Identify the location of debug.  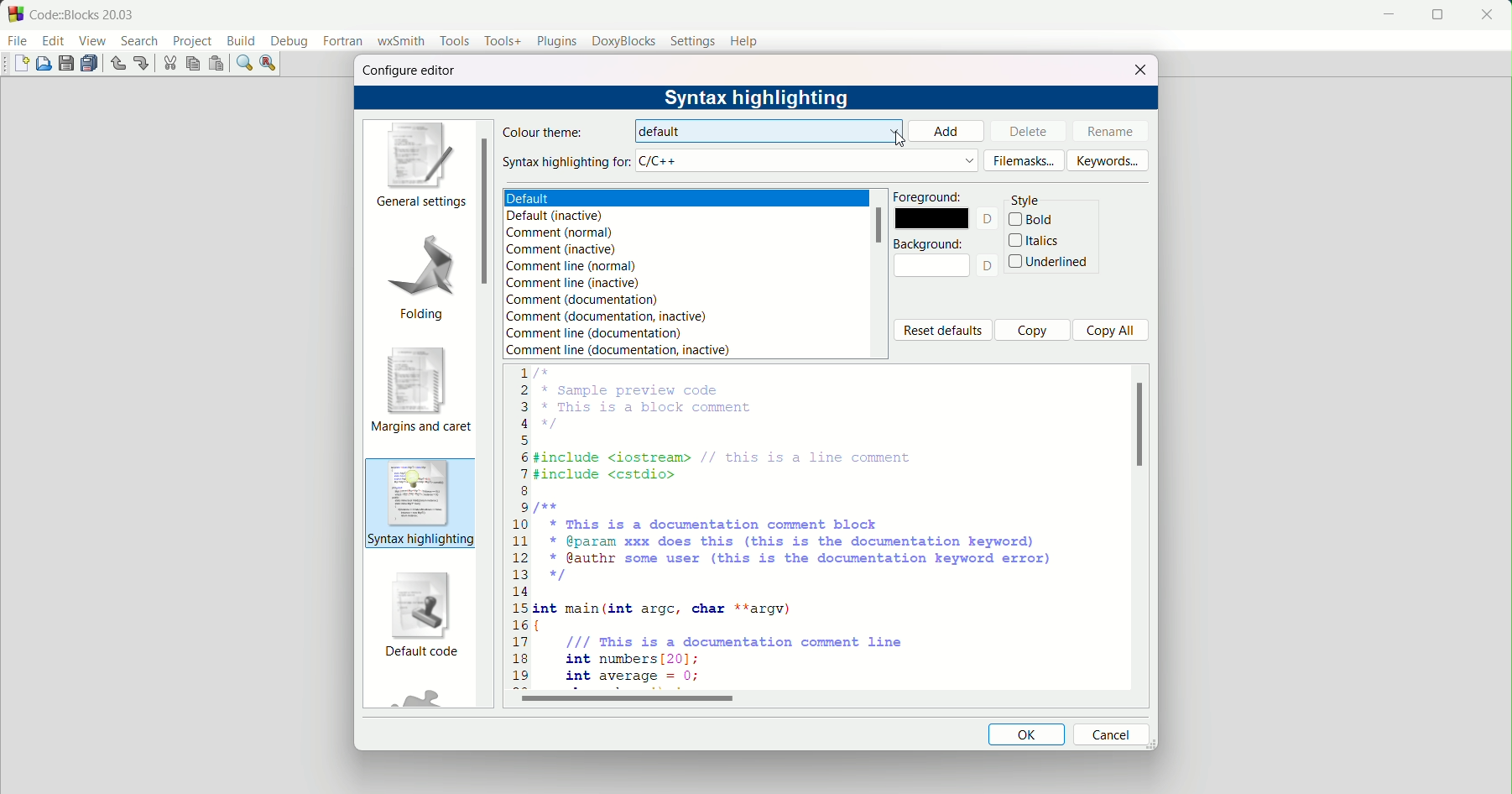
(290, 43).